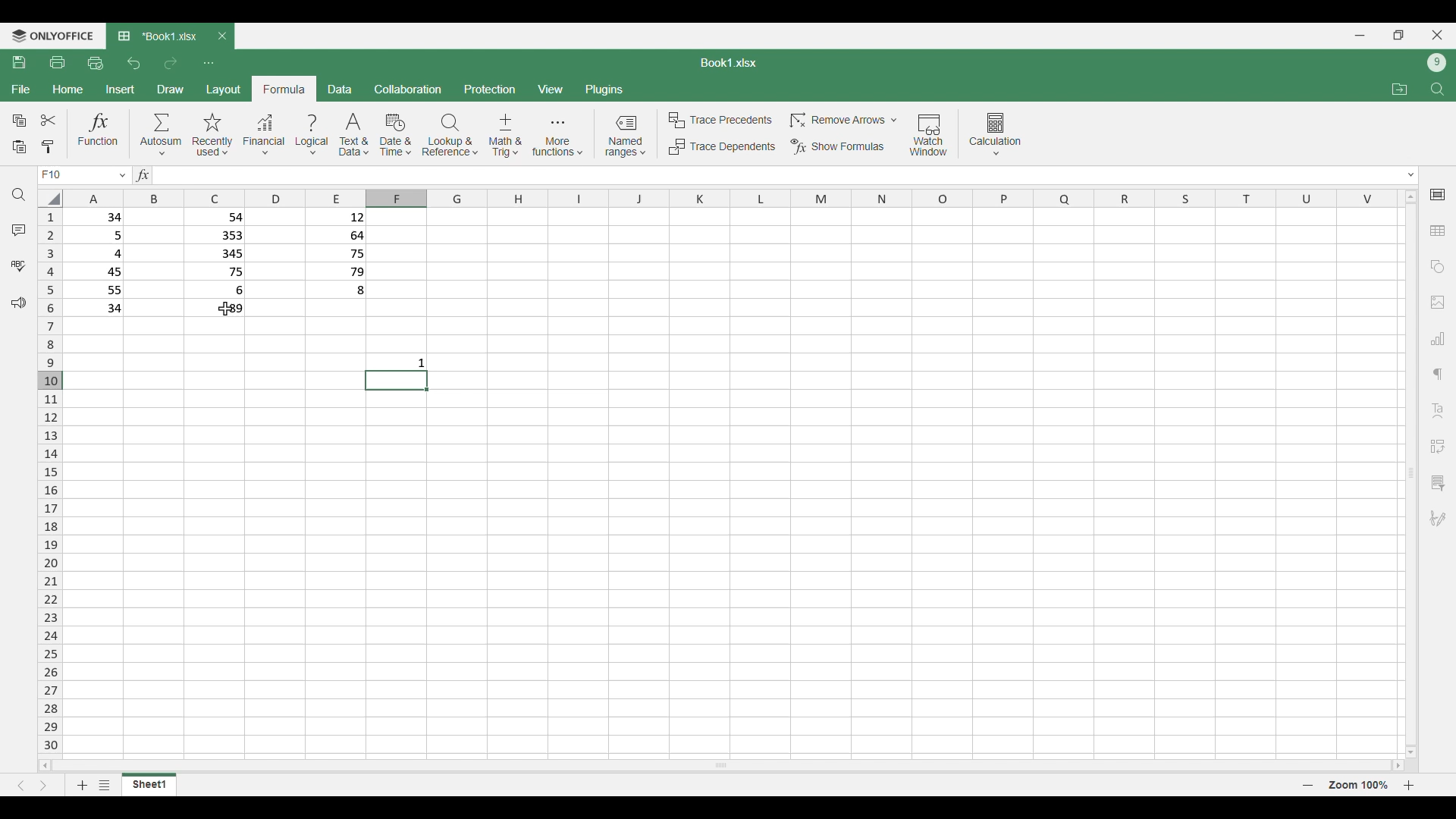 This screenshot has height=819, width=1456. What do you see at coordinates (218, 254) in the screenshot?
I see `Filled cells` at bounding box center [218, 254].